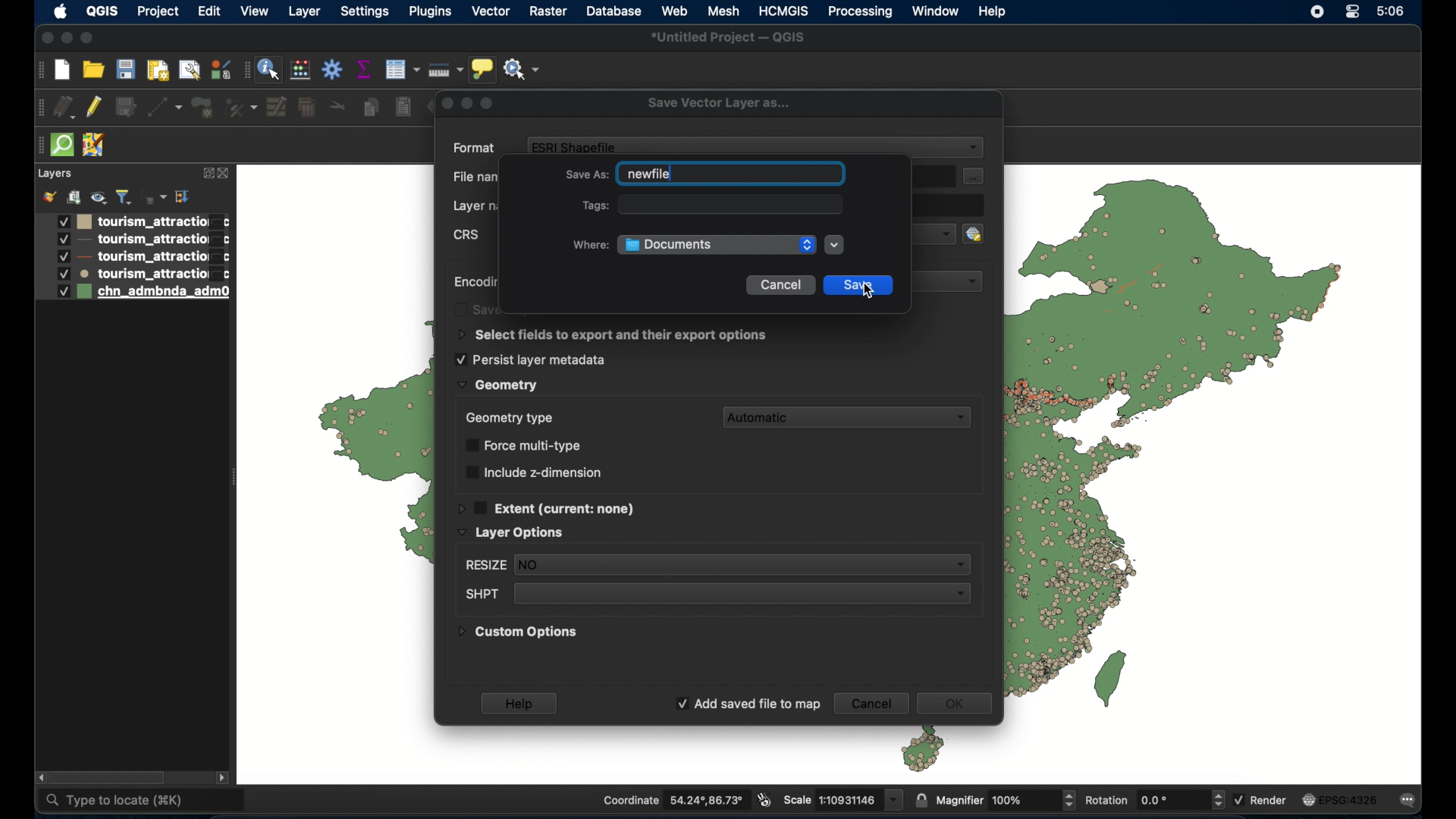 The image size is (1456, 819). Describe the element at coordinates (1319, 11) in the screenshot. I see `screen recorder` at that location.